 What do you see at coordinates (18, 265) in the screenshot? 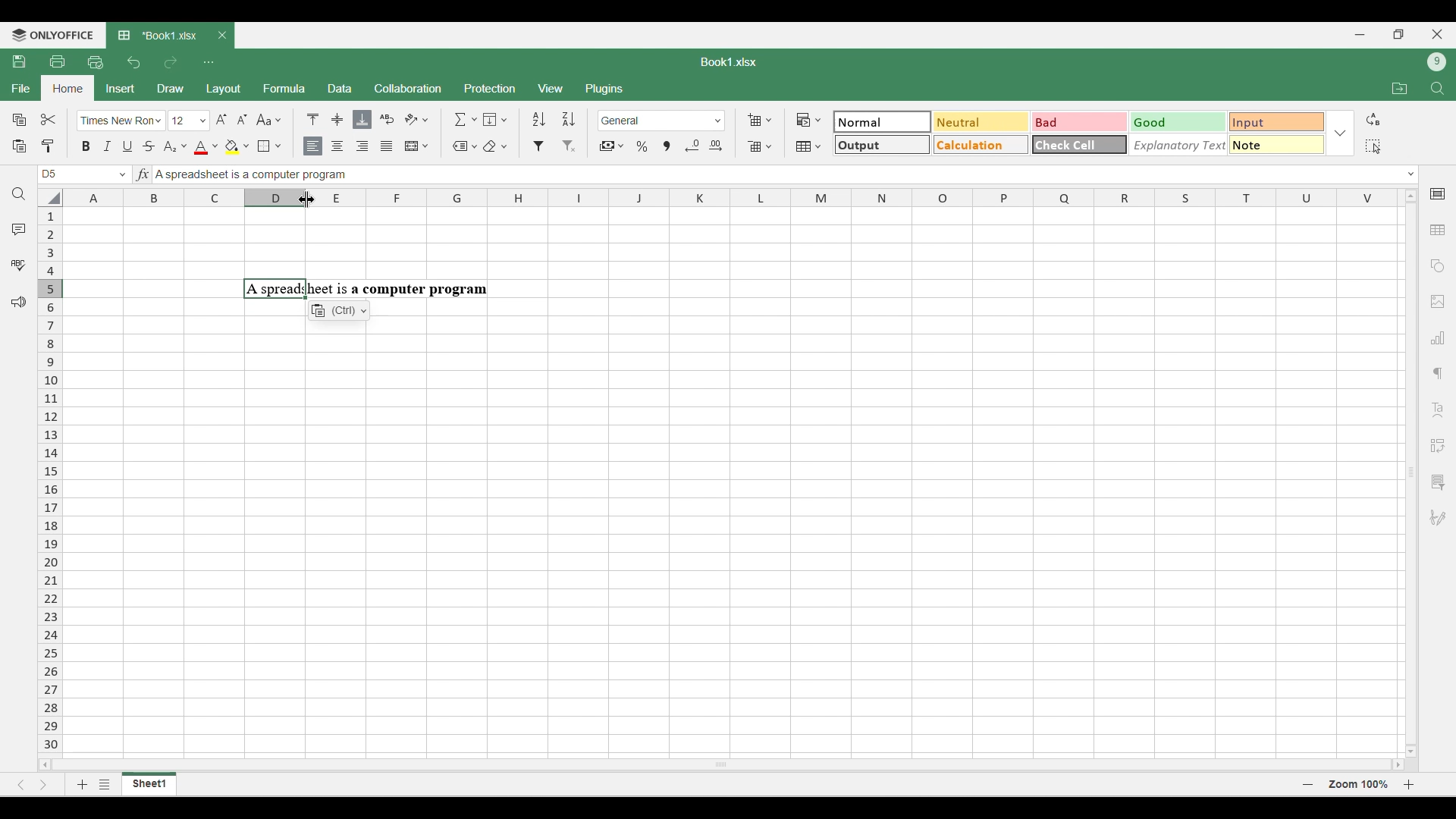
I see `Spell check` at bounding box center [18, 265].